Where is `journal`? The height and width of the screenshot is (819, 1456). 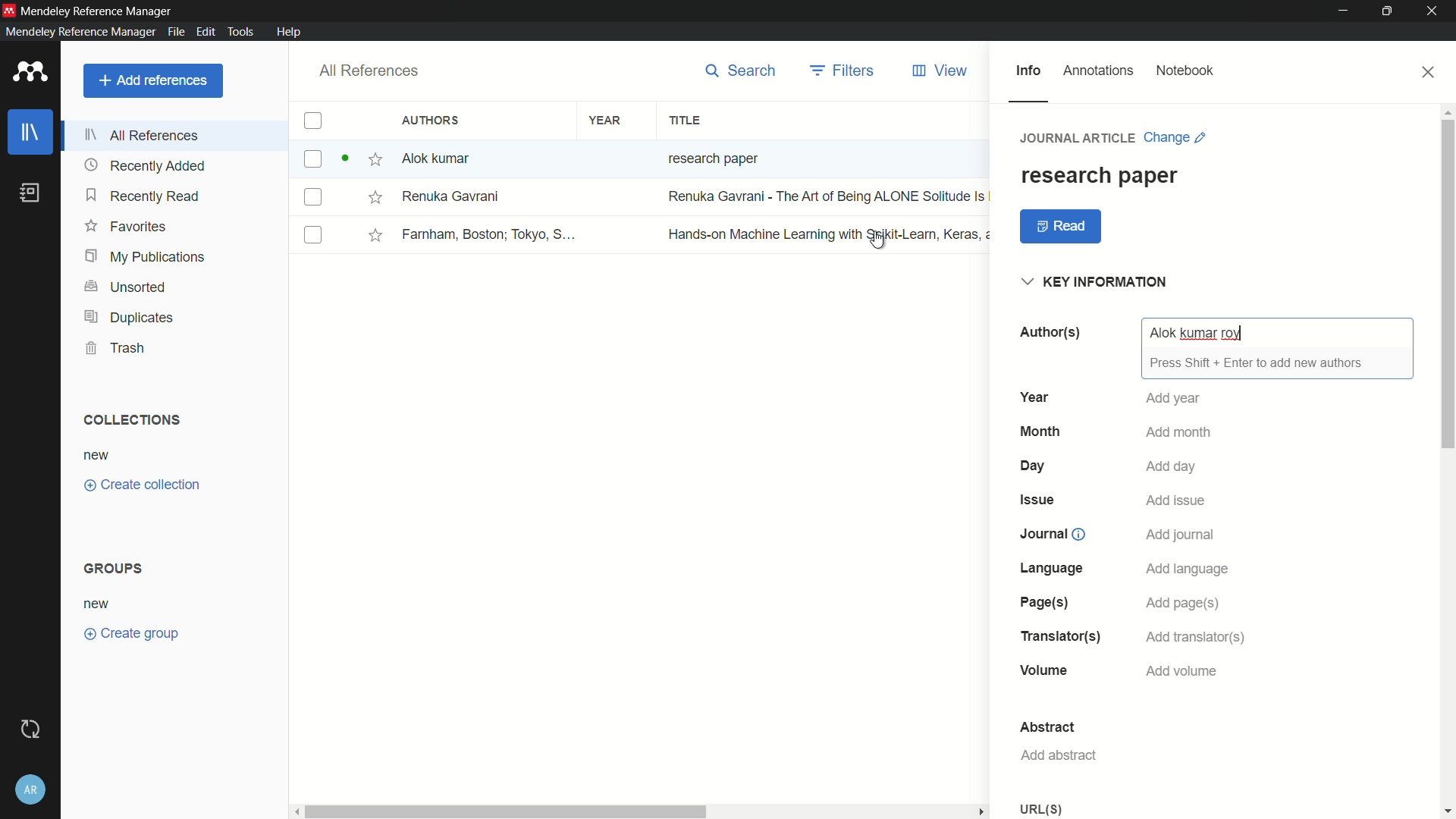 journal is located at coordinates (1044, 533).